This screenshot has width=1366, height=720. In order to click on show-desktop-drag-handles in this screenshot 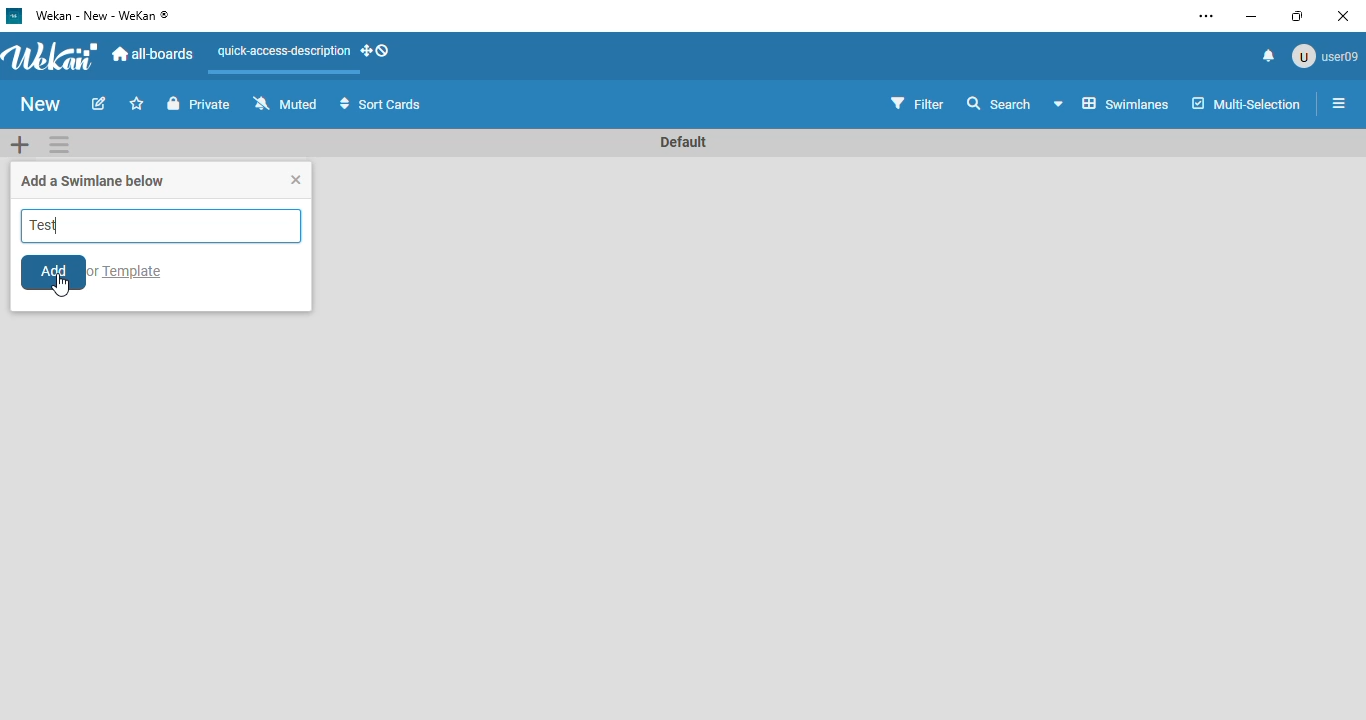, I will do `click(375, 51)`.